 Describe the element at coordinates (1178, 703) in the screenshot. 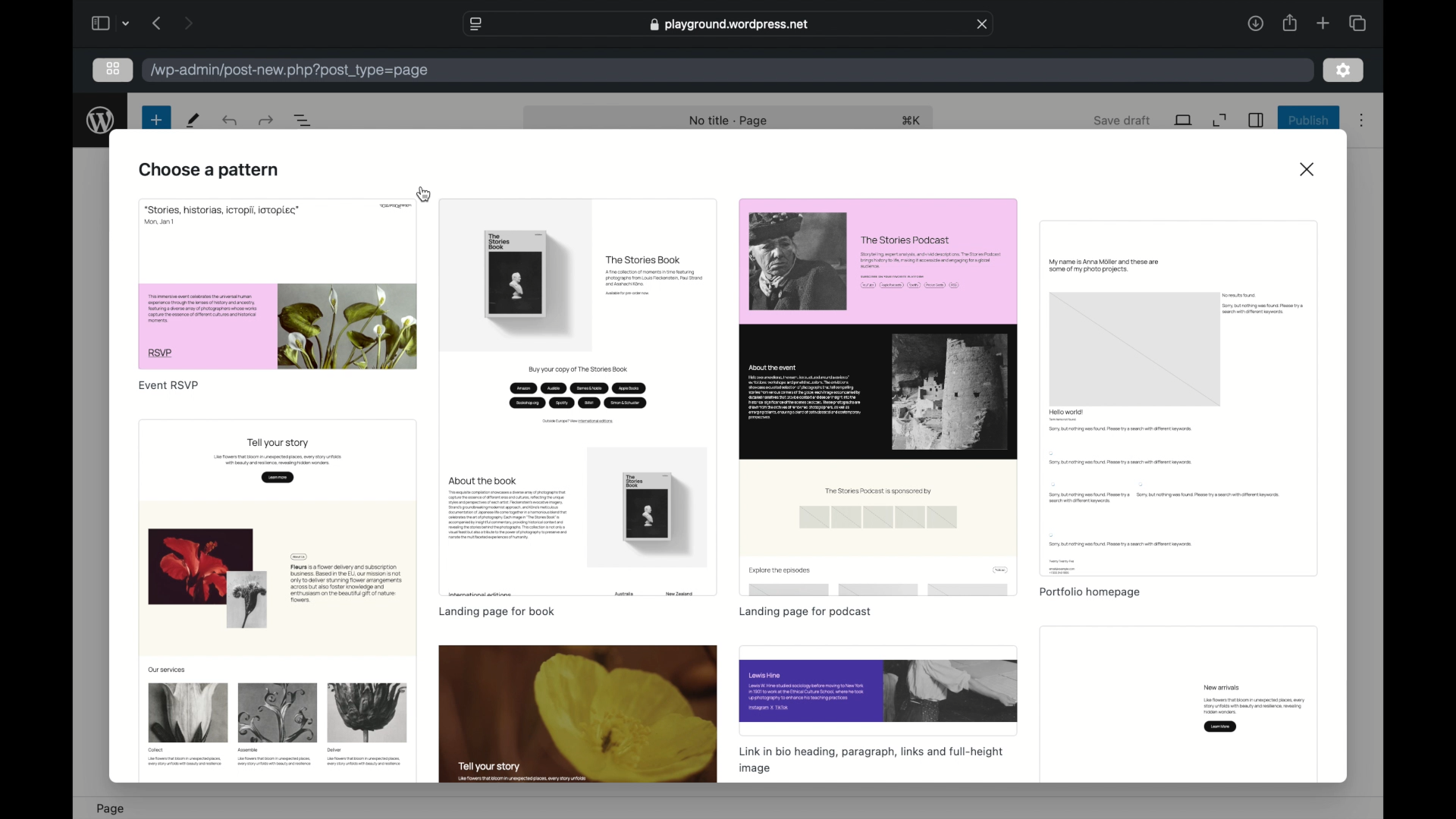

I see `preview` at that location.